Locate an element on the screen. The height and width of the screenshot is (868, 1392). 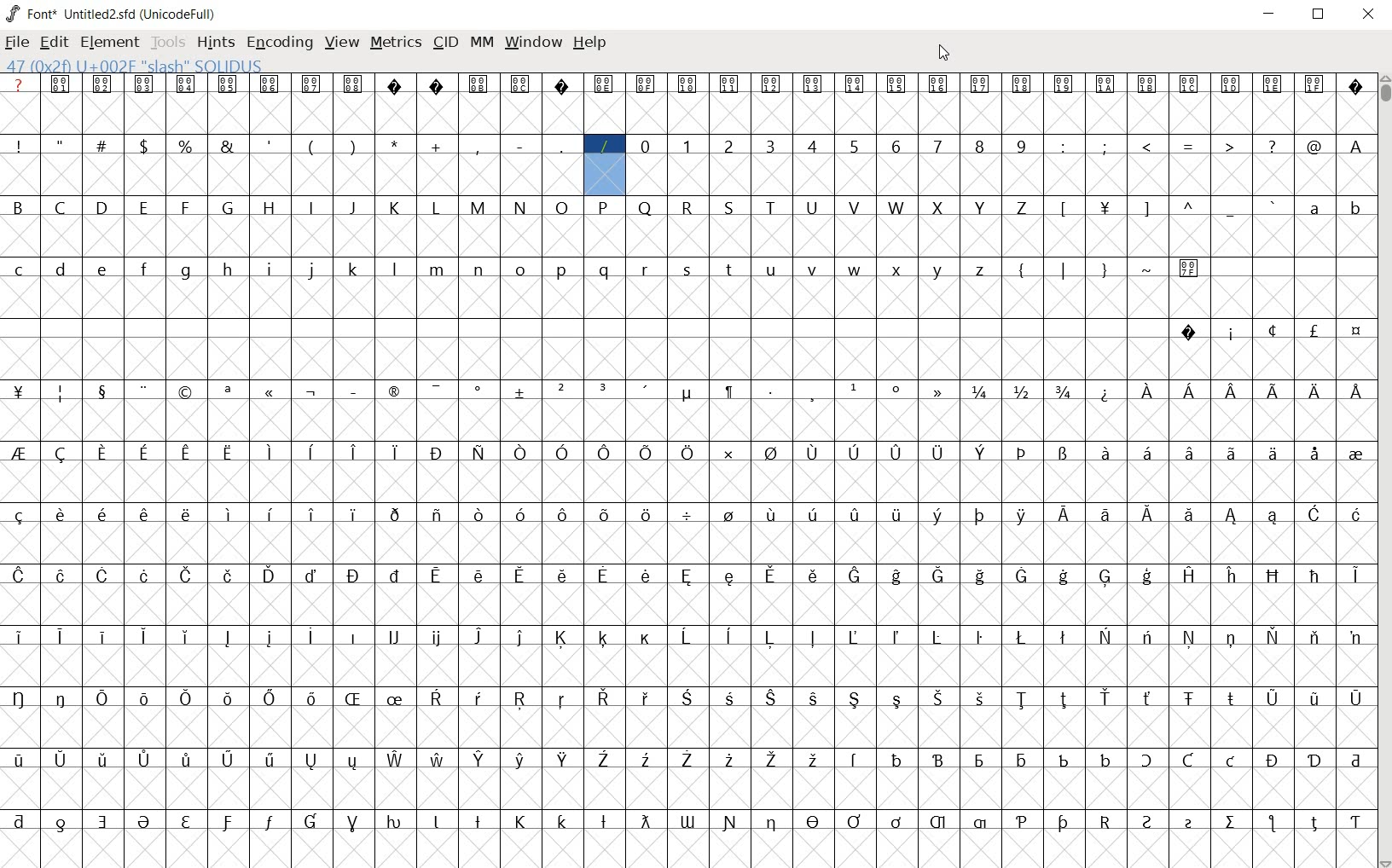
glyph is located at coordinates (394, 576).